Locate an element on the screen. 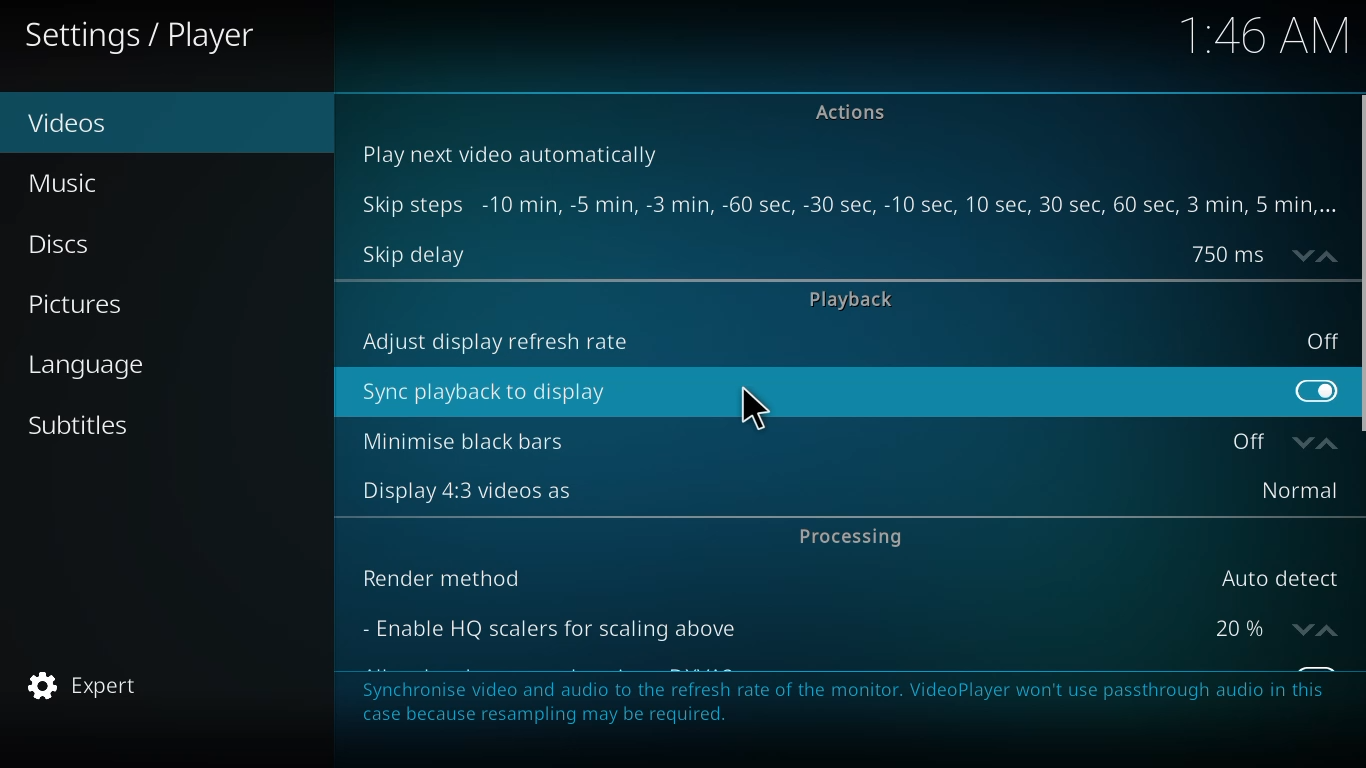  display 4:3 videos as is located at coordinates (470, 488).